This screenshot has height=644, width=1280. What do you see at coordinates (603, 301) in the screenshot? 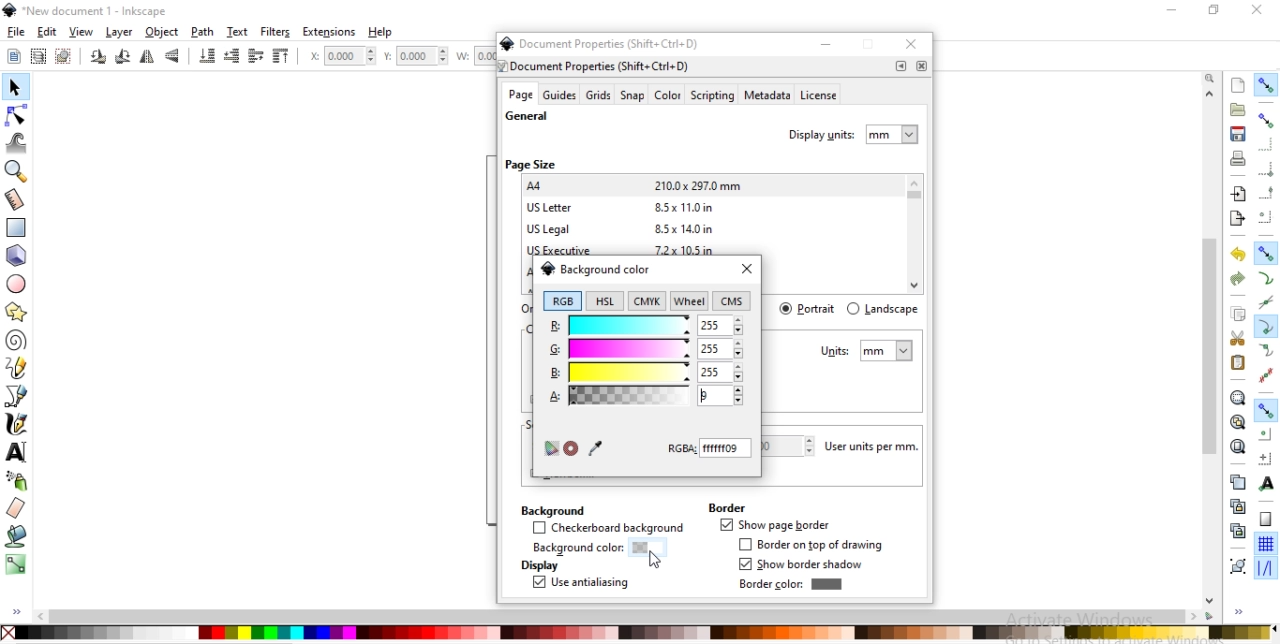
I see `hsl` at bounding box center [603, 301].